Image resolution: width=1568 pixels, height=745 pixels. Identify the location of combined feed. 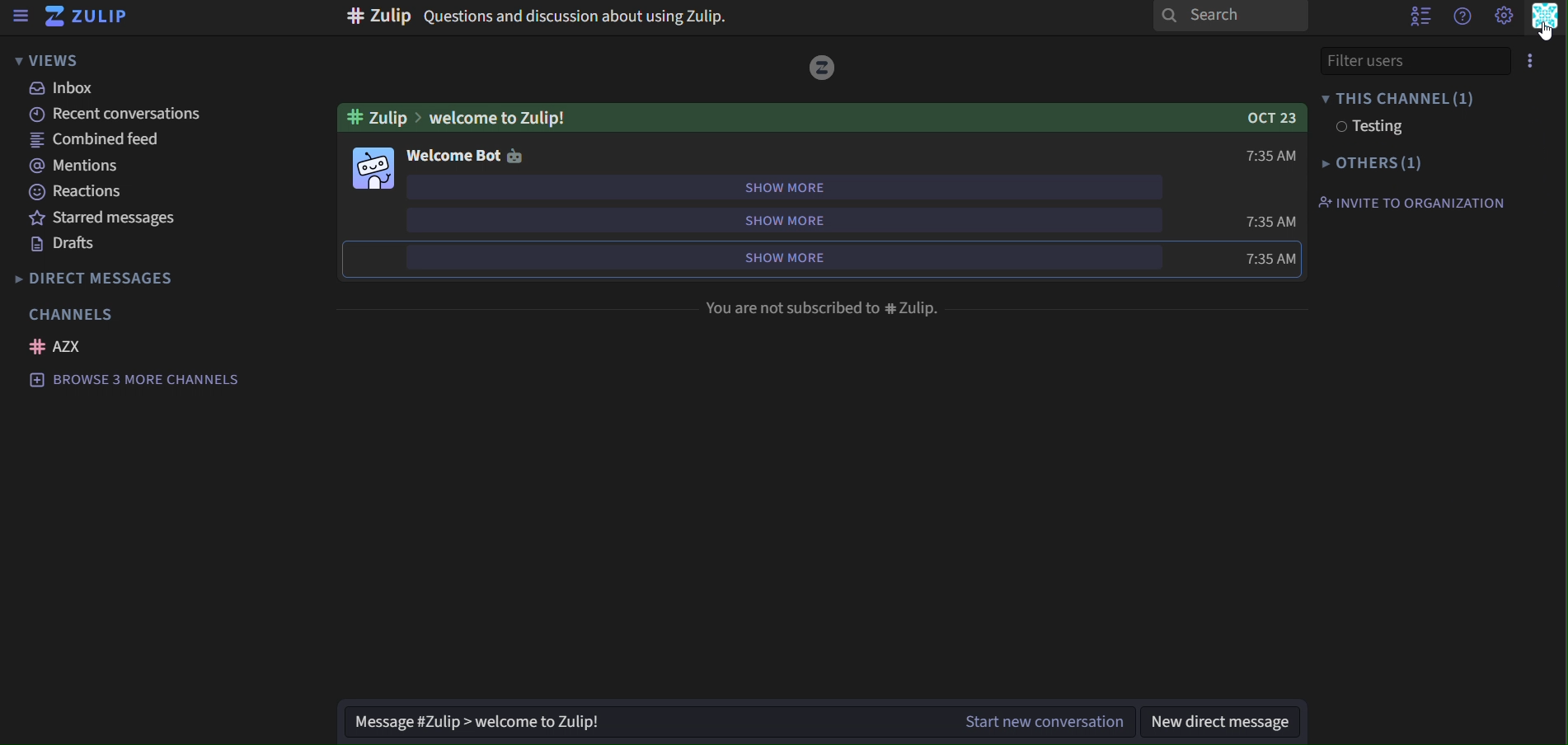
(97, 138).